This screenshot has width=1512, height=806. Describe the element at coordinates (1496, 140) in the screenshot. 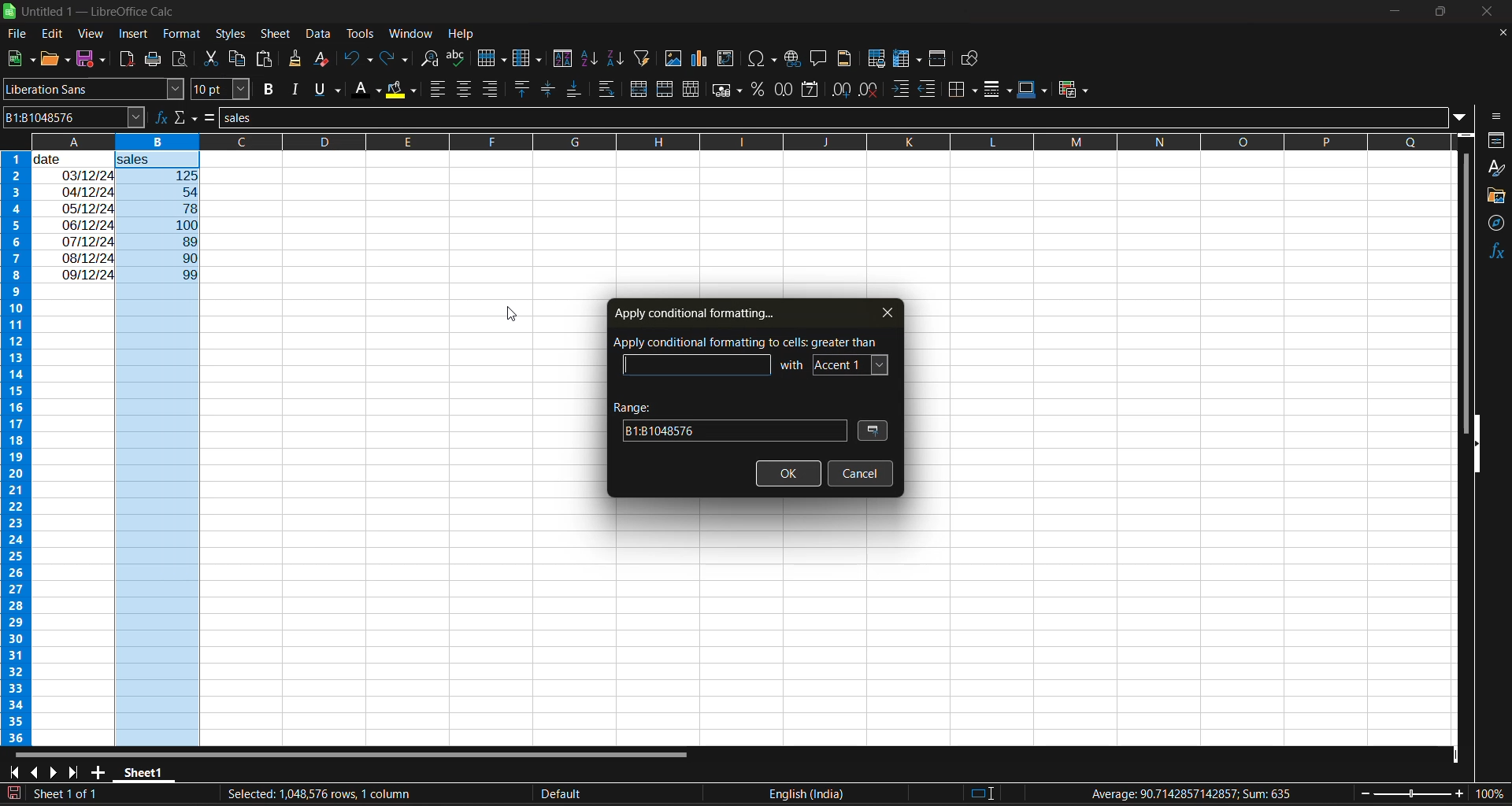

I see `properties` at that location.